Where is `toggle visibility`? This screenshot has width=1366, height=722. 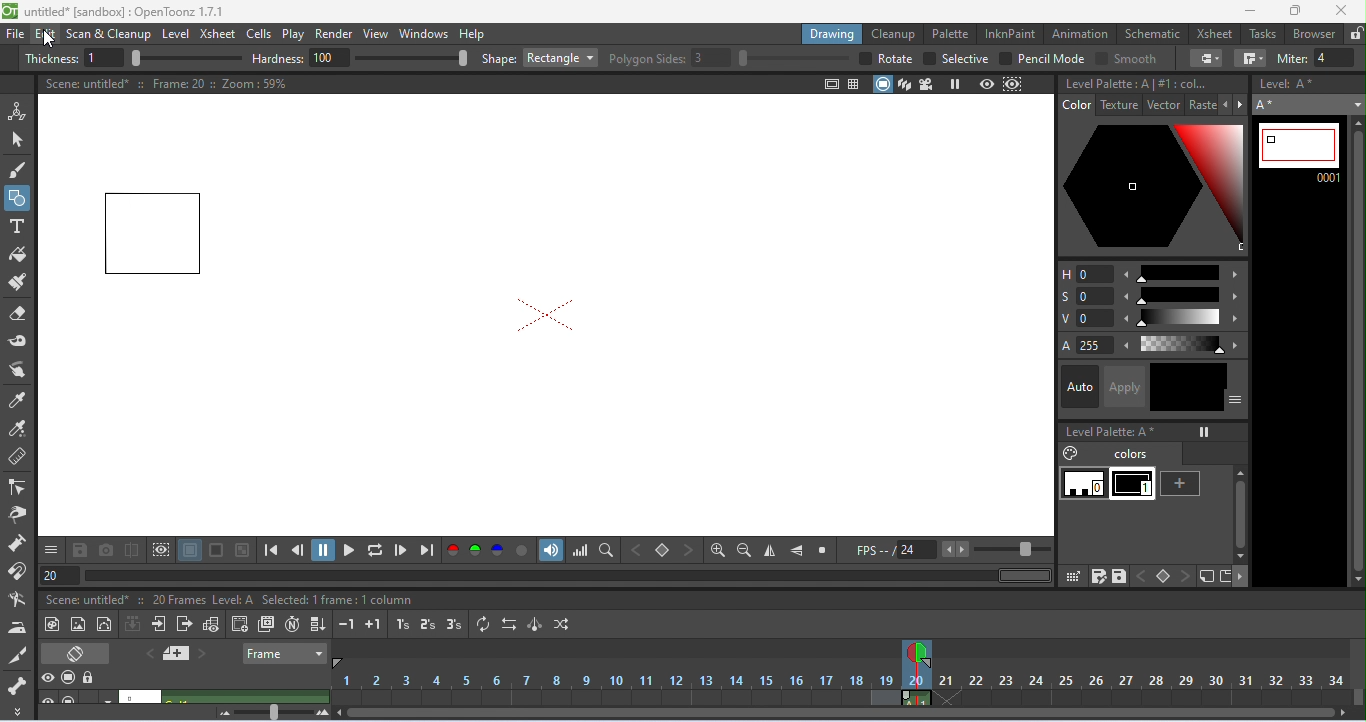 toggle visibility is located at coordinates (48, 697).